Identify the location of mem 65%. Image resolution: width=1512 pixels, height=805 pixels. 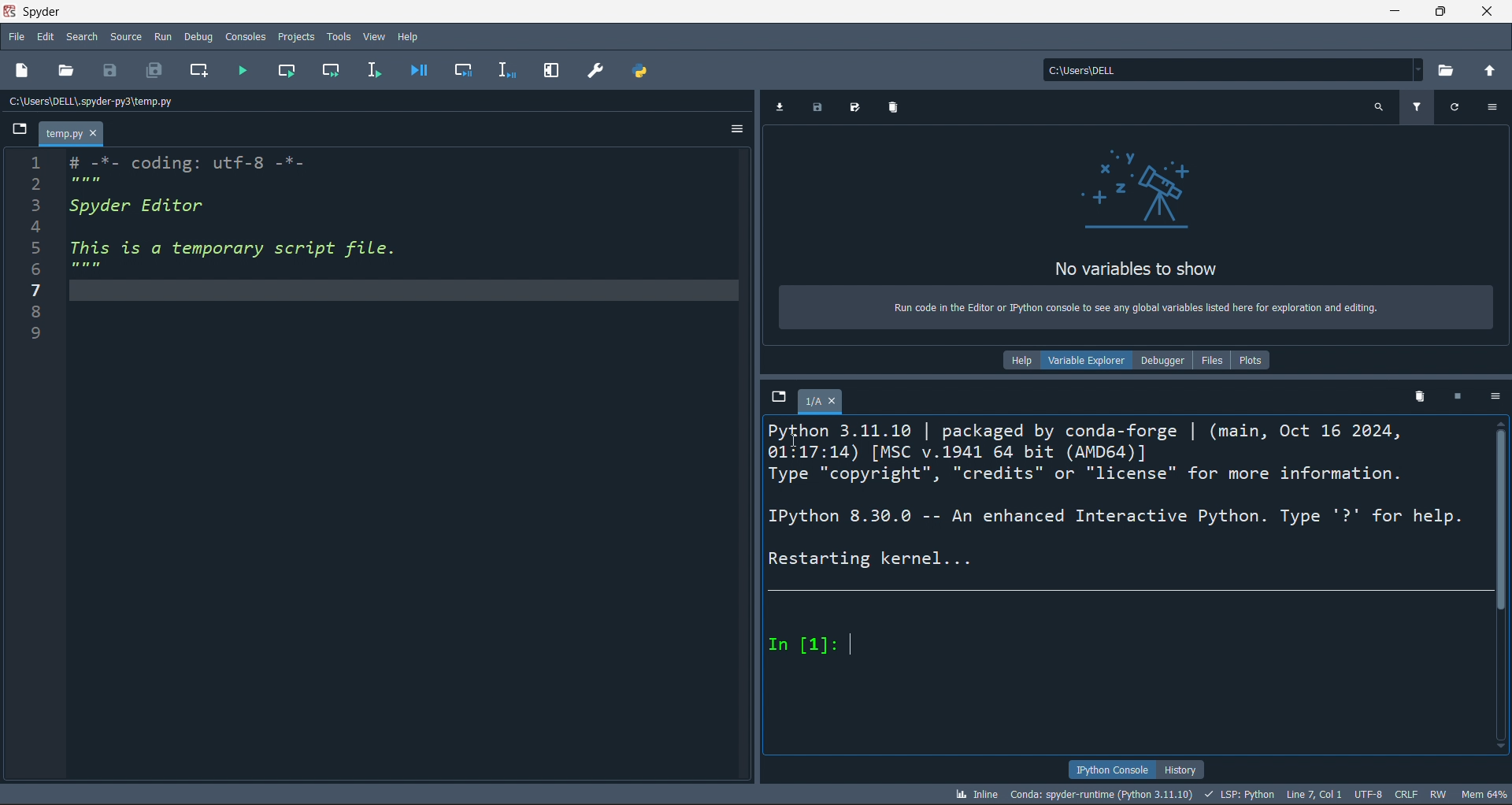
(1485, 793).